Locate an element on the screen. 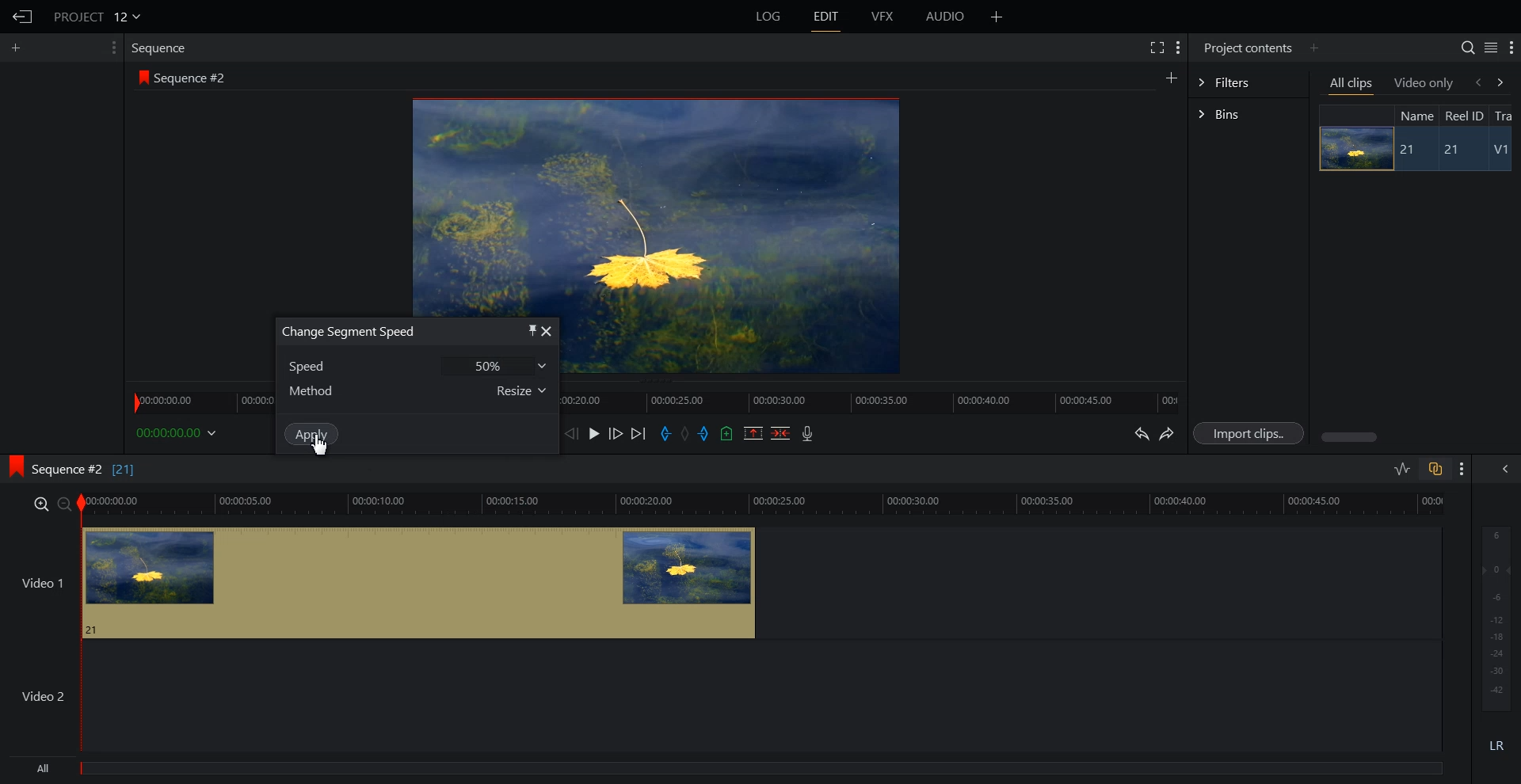 The width and height of the screenshot is (1521, 784). Toggle auto Track sync is located at coordinates (1435, 469).